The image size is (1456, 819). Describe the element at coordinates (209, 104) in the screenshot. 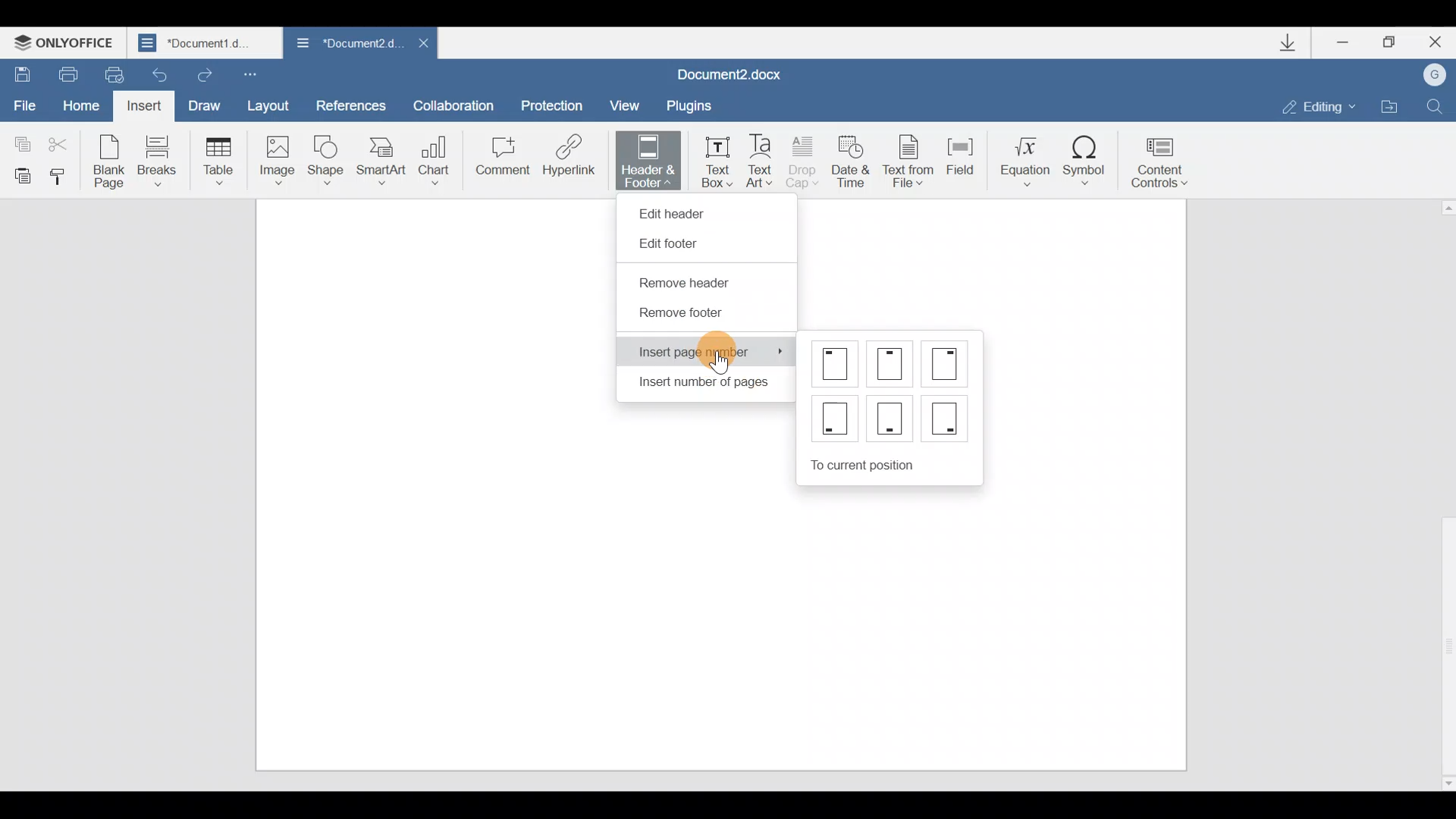

I see `Draw` at that location.